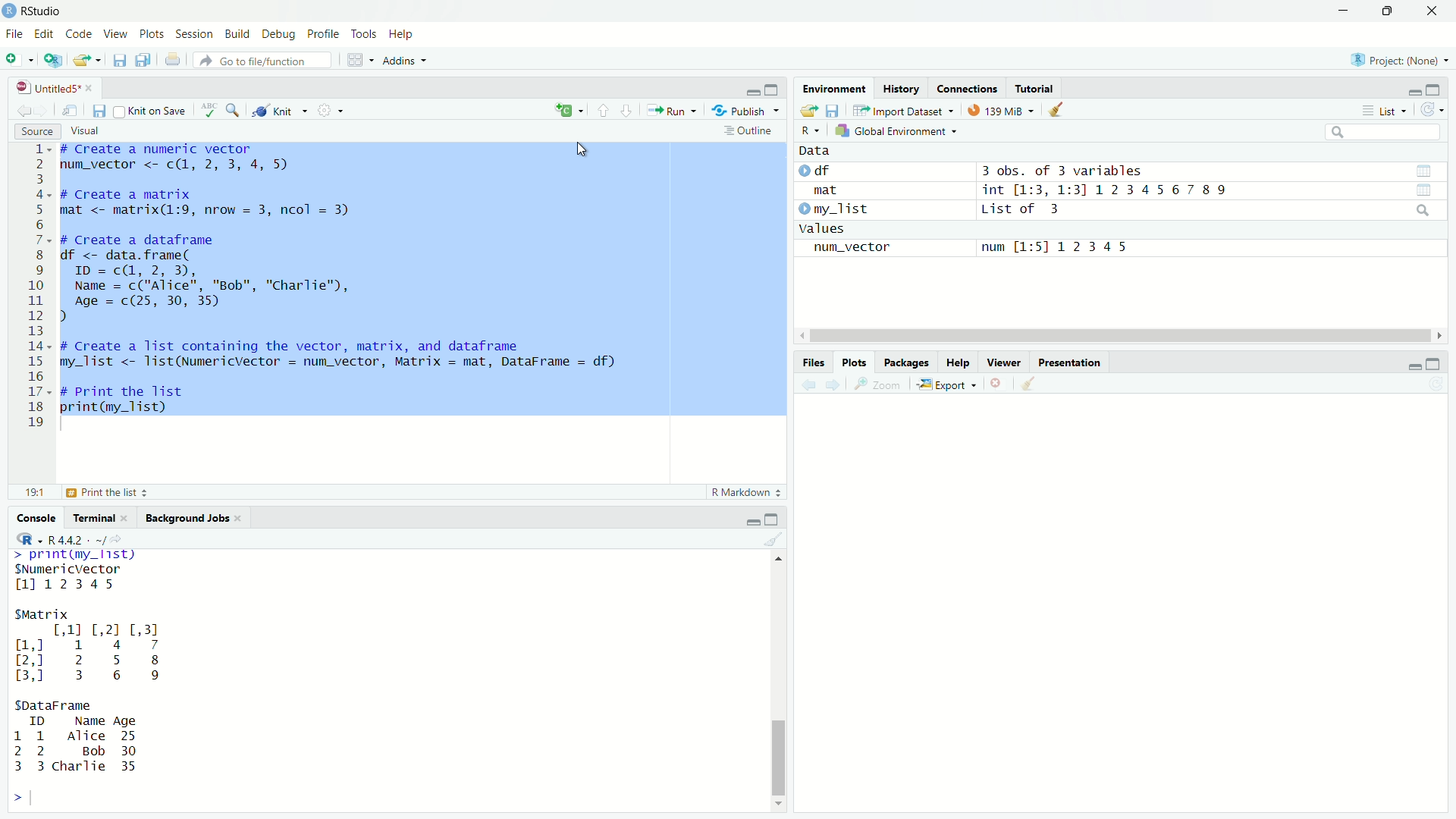 The height and width of the screenshot is (819, 1456). Describe the element at coordinates (14, 33) in the screenshot. I see `File` at that location.